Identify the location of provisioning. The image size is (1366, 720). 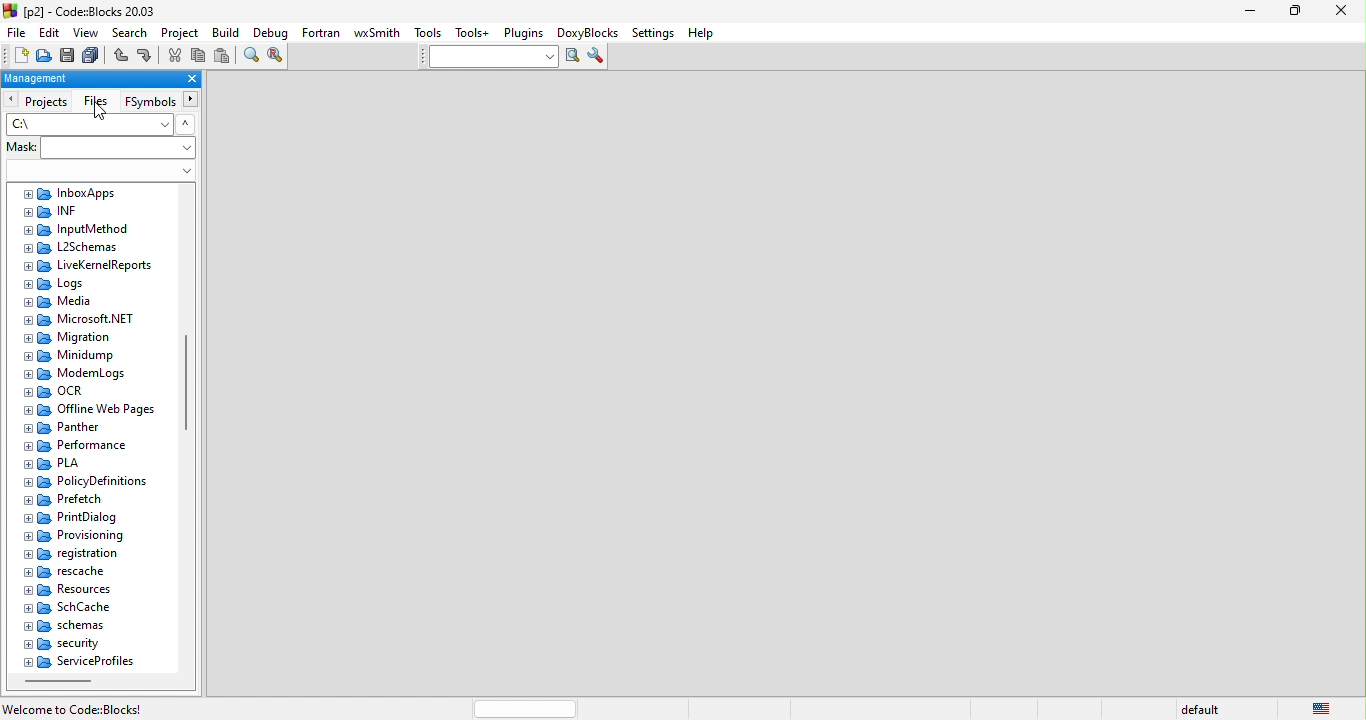
(78, 535).